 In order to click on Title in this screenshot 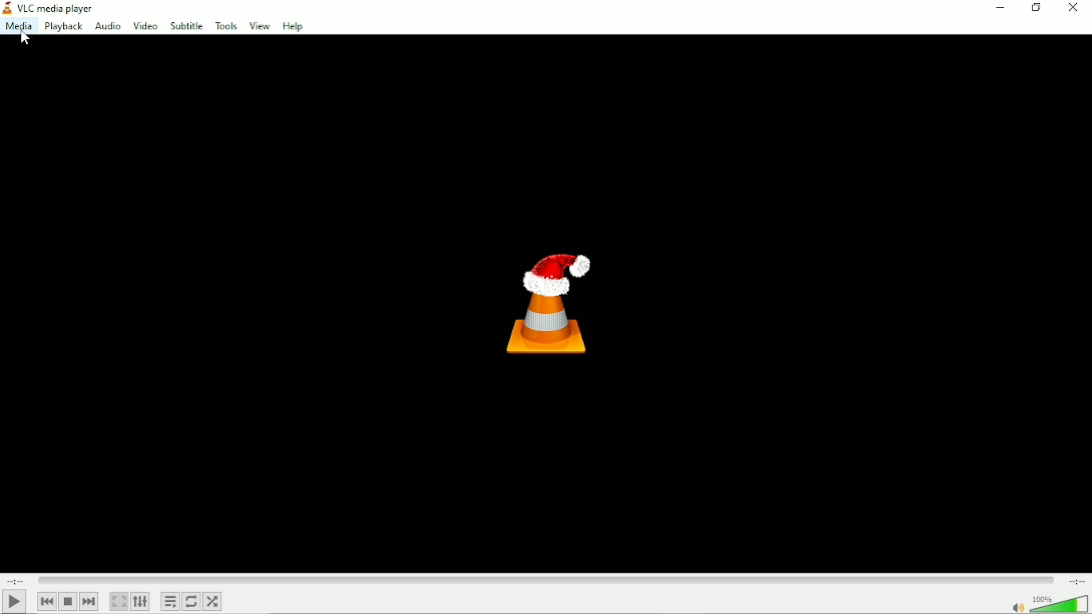, I will do `click(50, 7)`.